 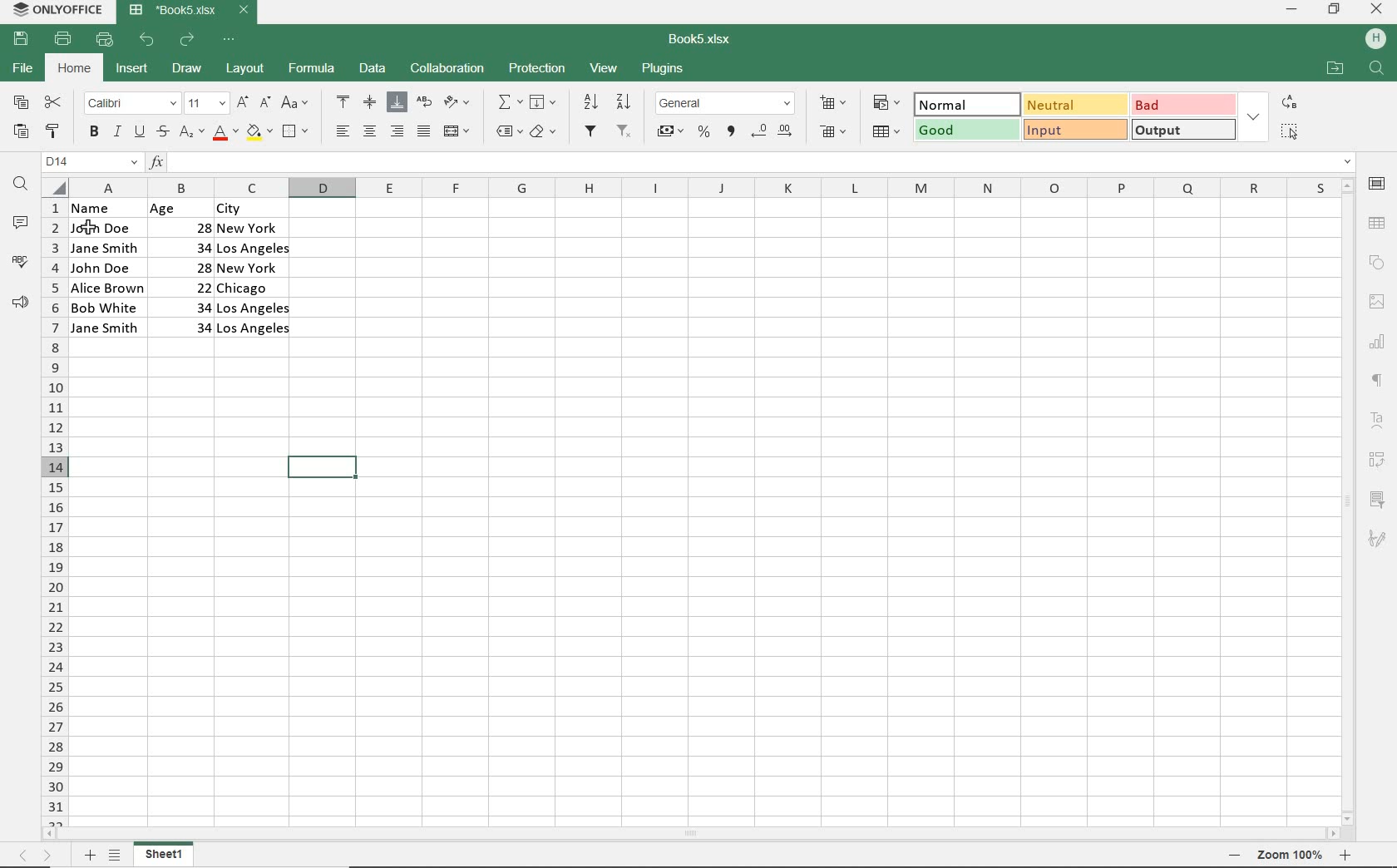 I want to click on BAD, so click(x=1182, y=104).